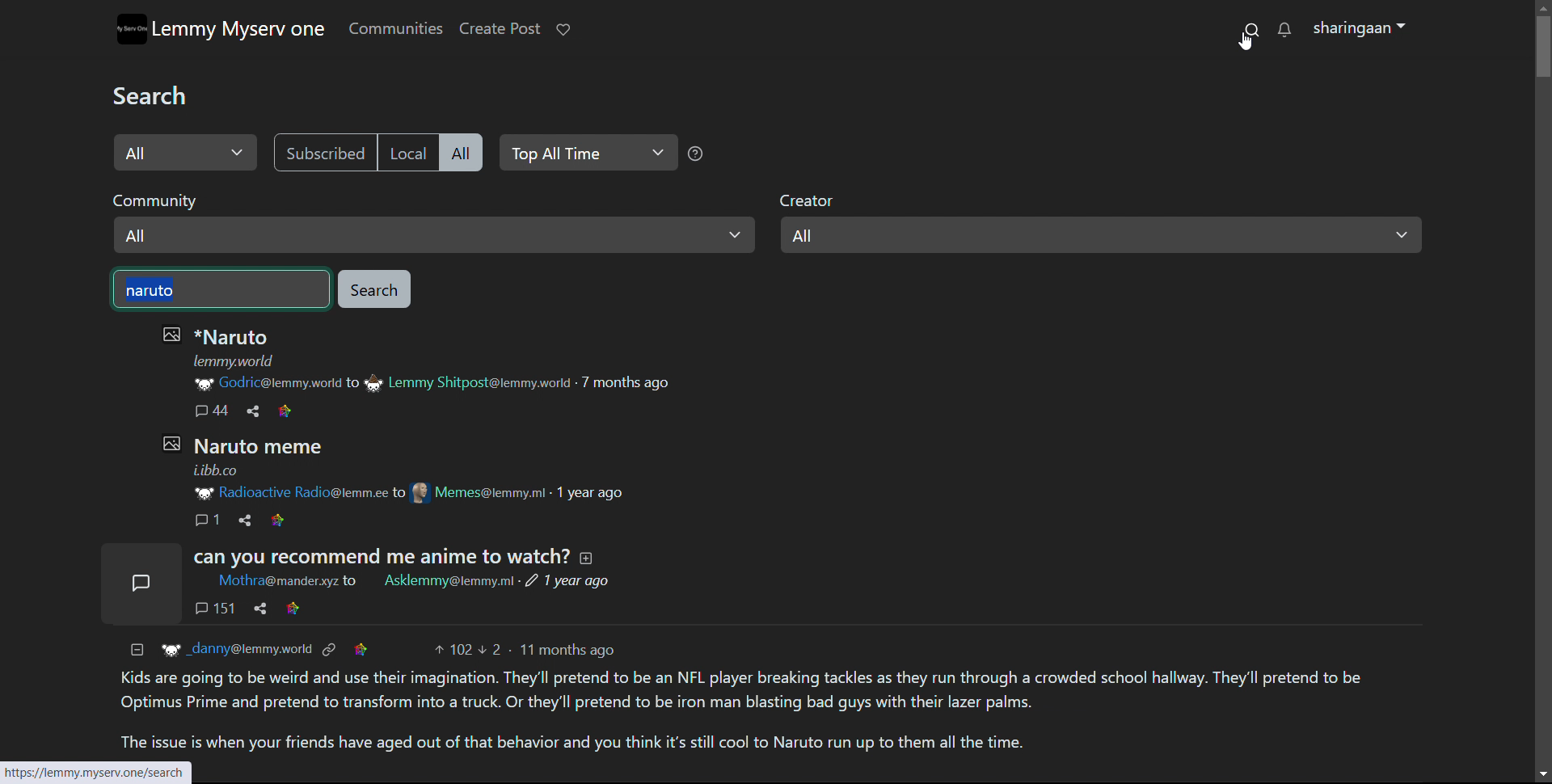 Image resolution: width=1552 pixels, height=784 pixels. Describe the element at coordinates (1541, 6) in the screenshot. I see `scroll up` at that location.